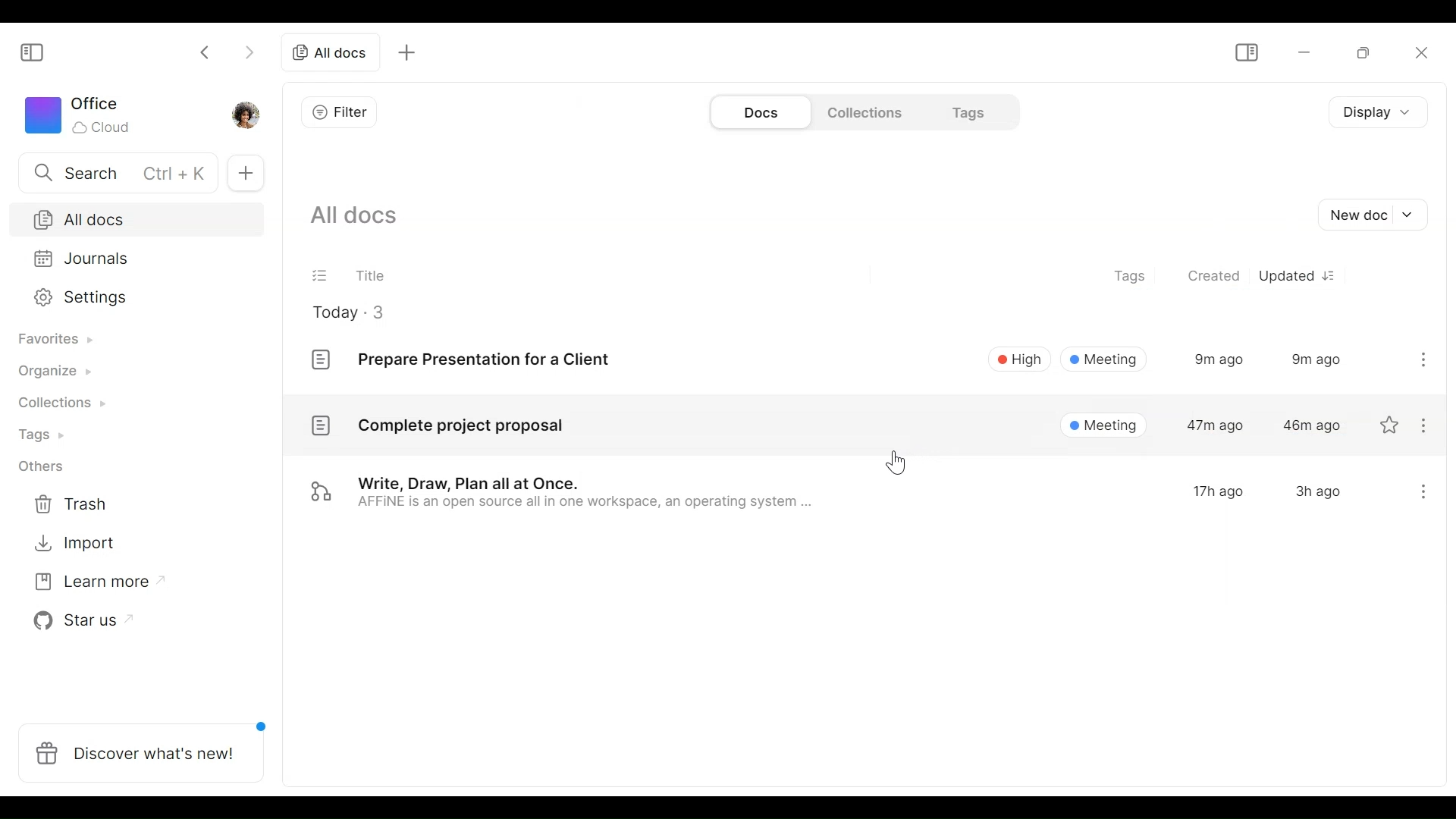  Describe the element at coordinates (358, 215) in the screenshot. I see `Show all documents` at that location.